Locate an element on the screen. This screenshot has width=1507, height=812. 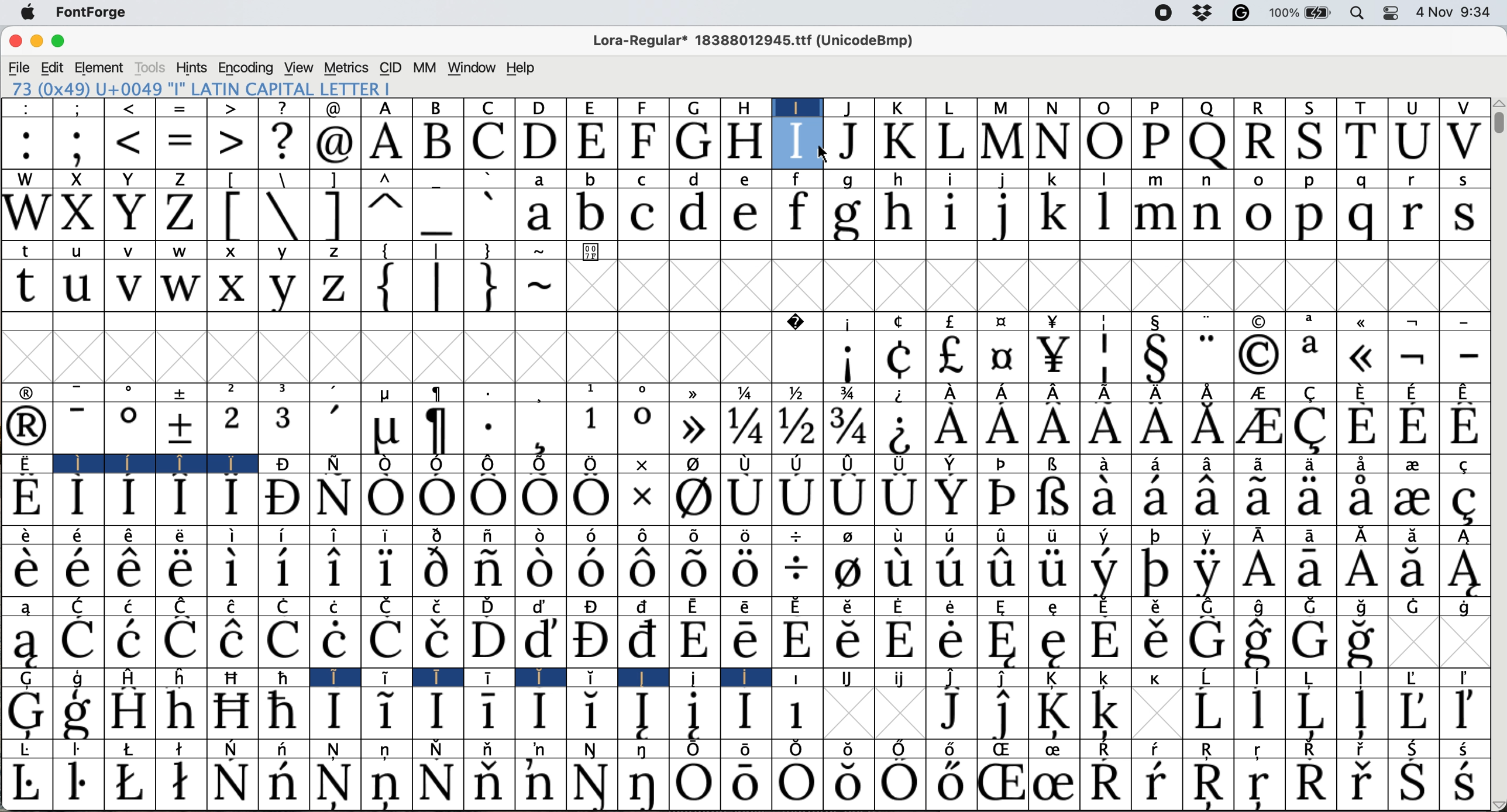
Symbol is located at coordinates (691, 428).